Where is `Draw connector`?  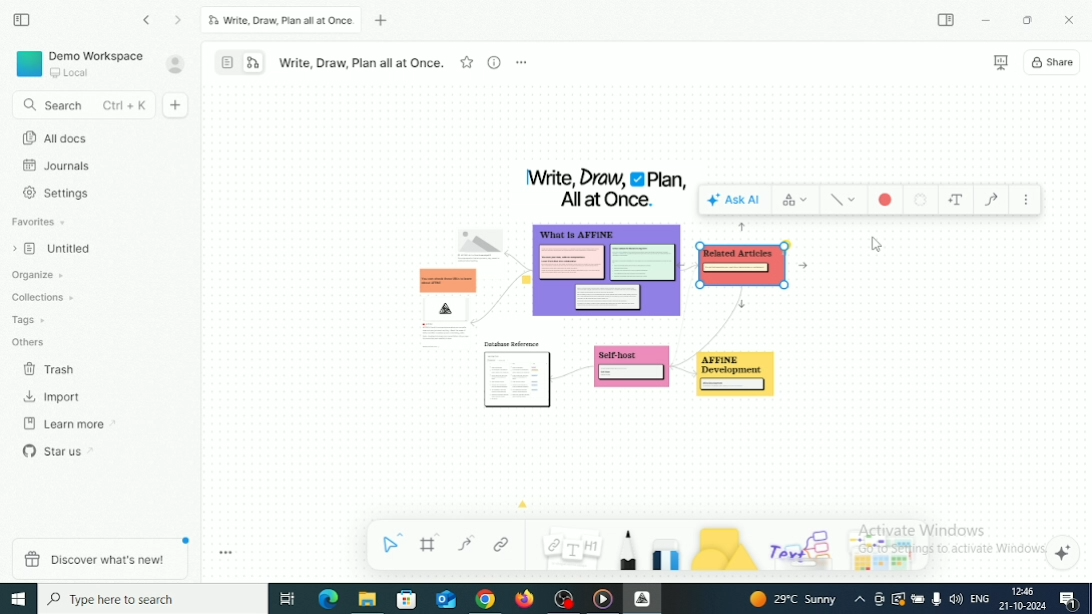
Draw connector is located at coordinates (991, 200).